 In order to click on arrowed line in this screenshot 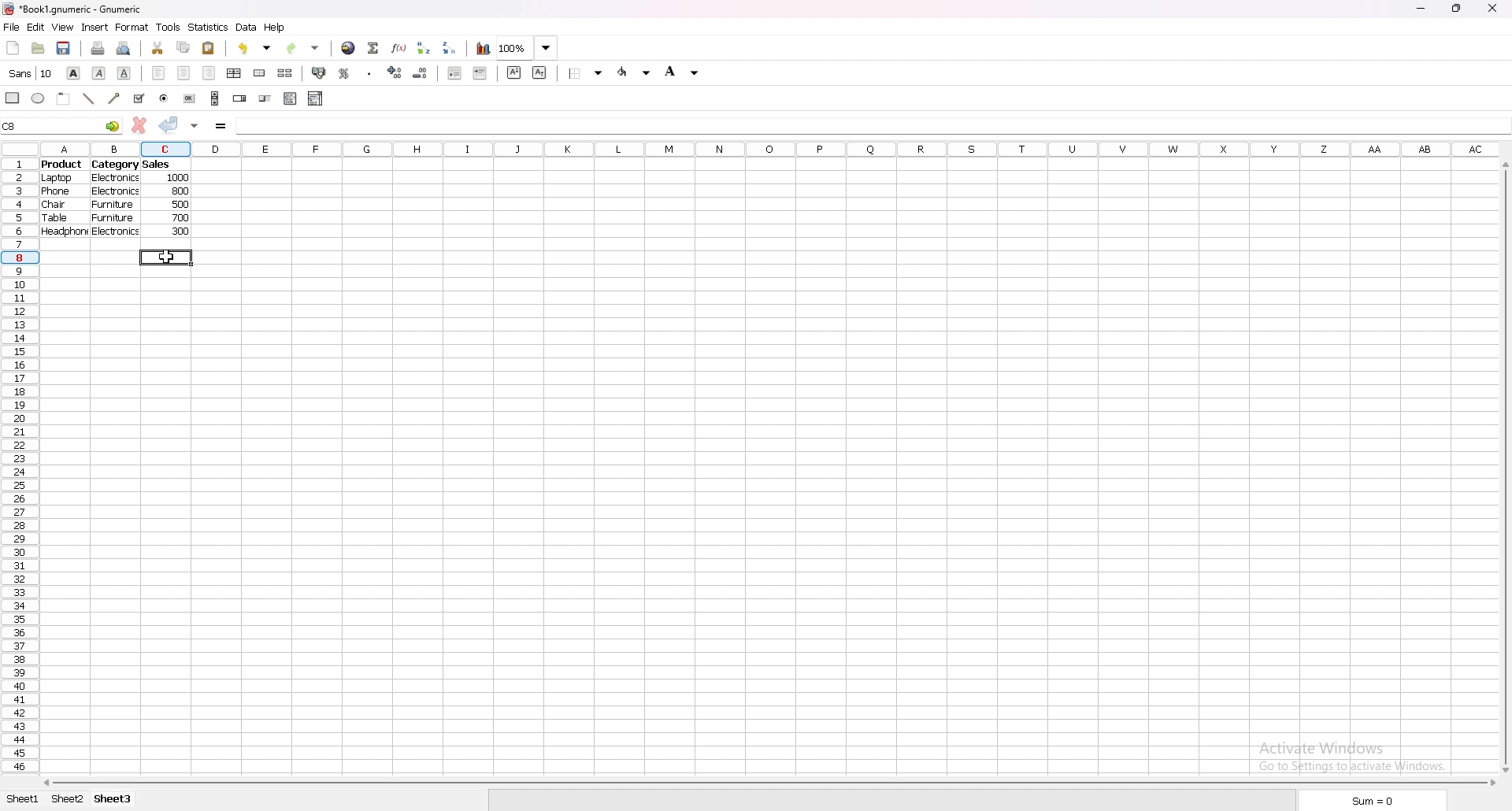, I will do `click(114, 99)`.